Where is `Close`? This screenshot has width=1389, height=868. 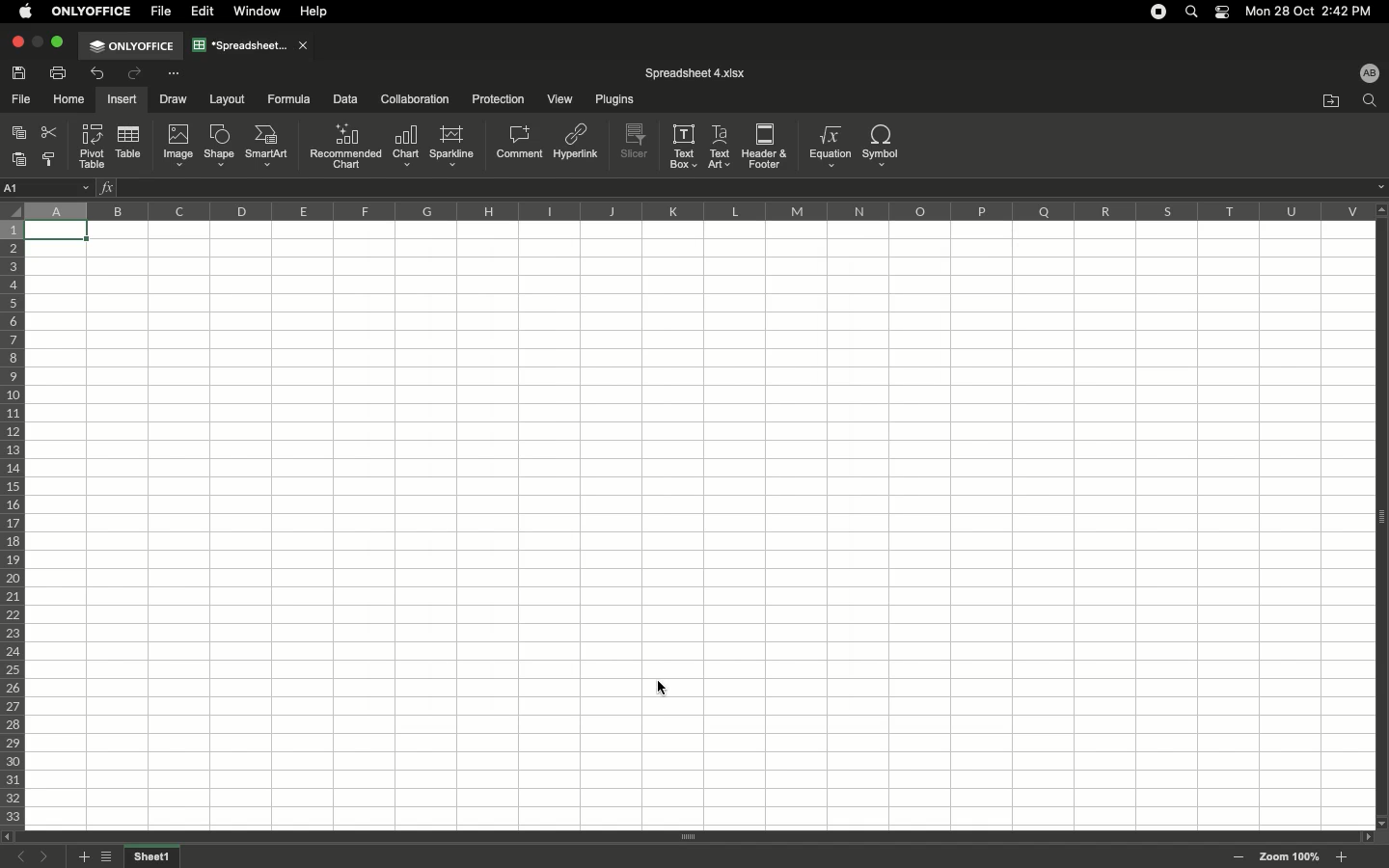 Close is located at coordinates (16, 42).